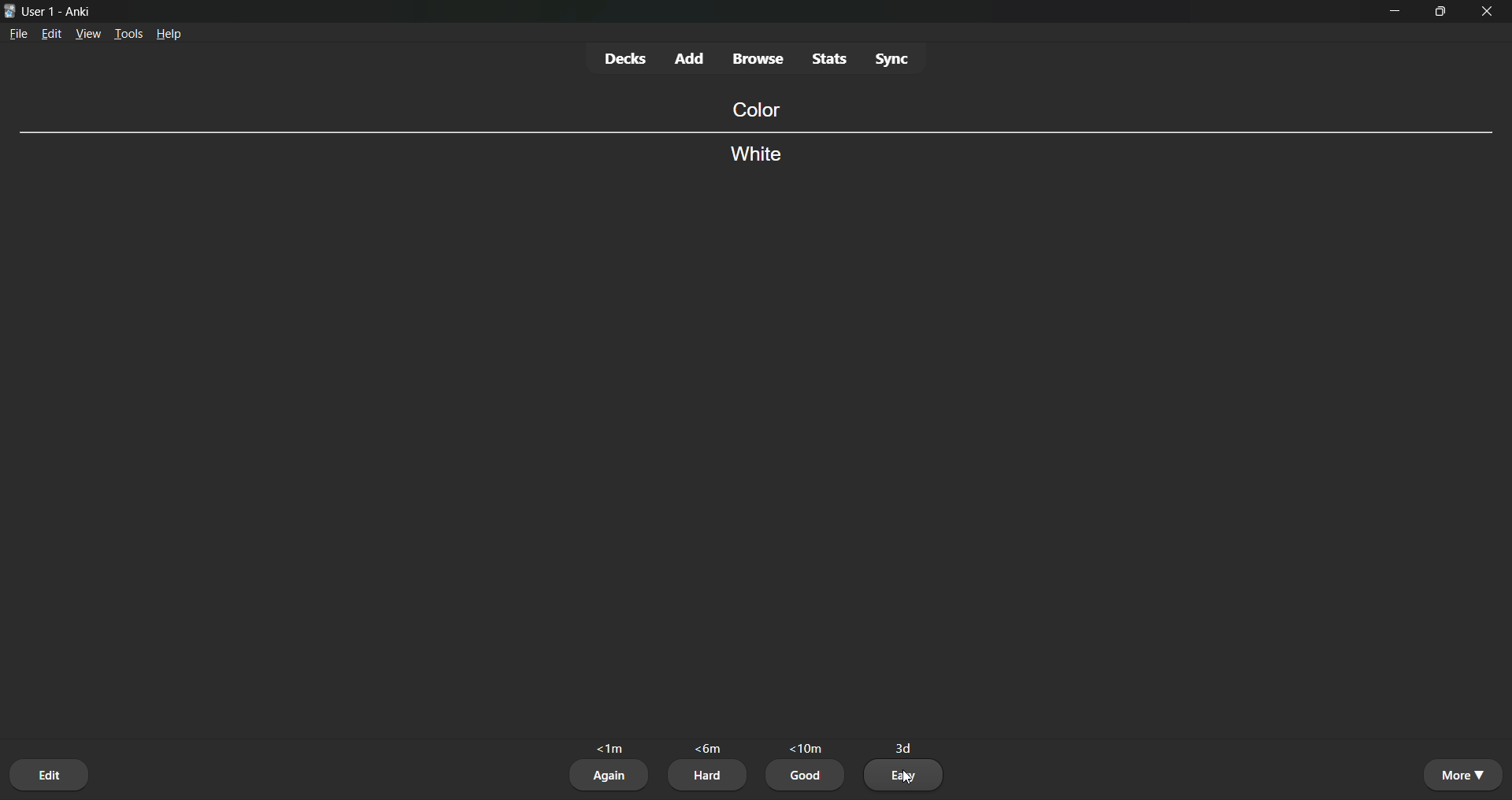  What do you see at coordinates (895, 59) in the screenshot?
I see `Sync` at bounding box center [895, 59].